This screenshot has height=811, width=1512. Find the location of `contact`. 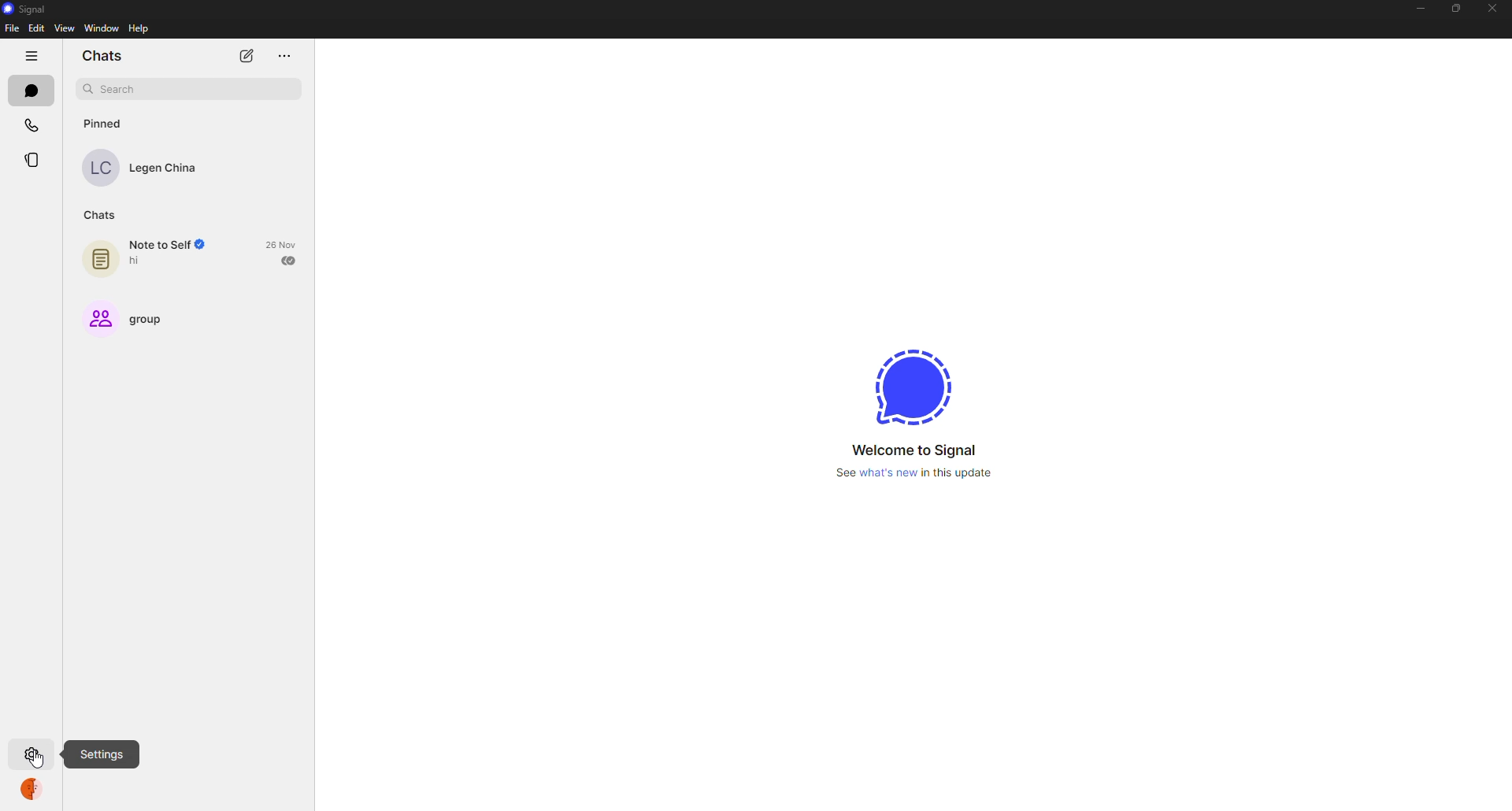

contact is located at coordinates (143, 168).